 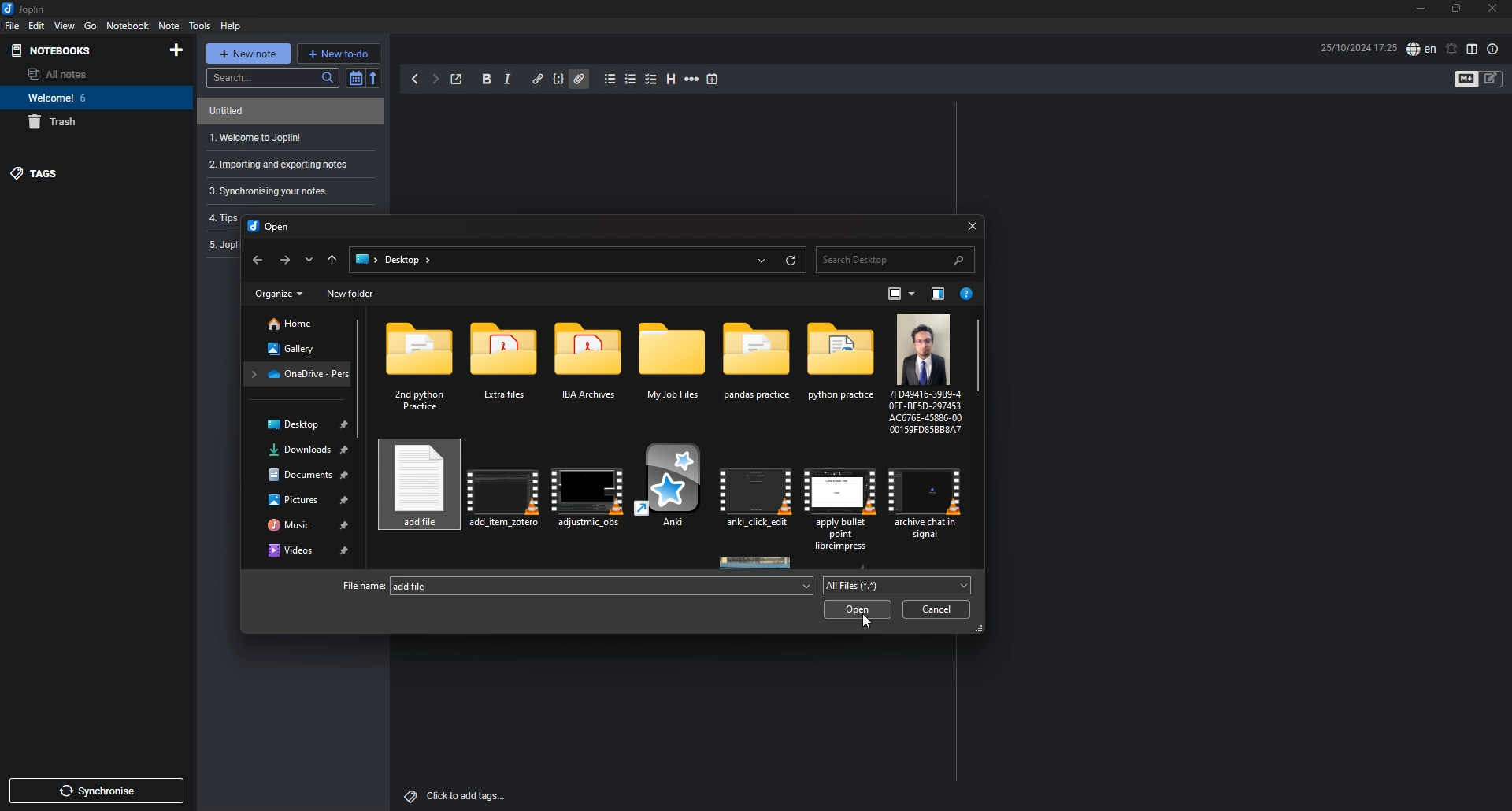 What do you see at coordinates (128, 26) in the screenshot?
I see `notebook` at bounding box center [128, 26].